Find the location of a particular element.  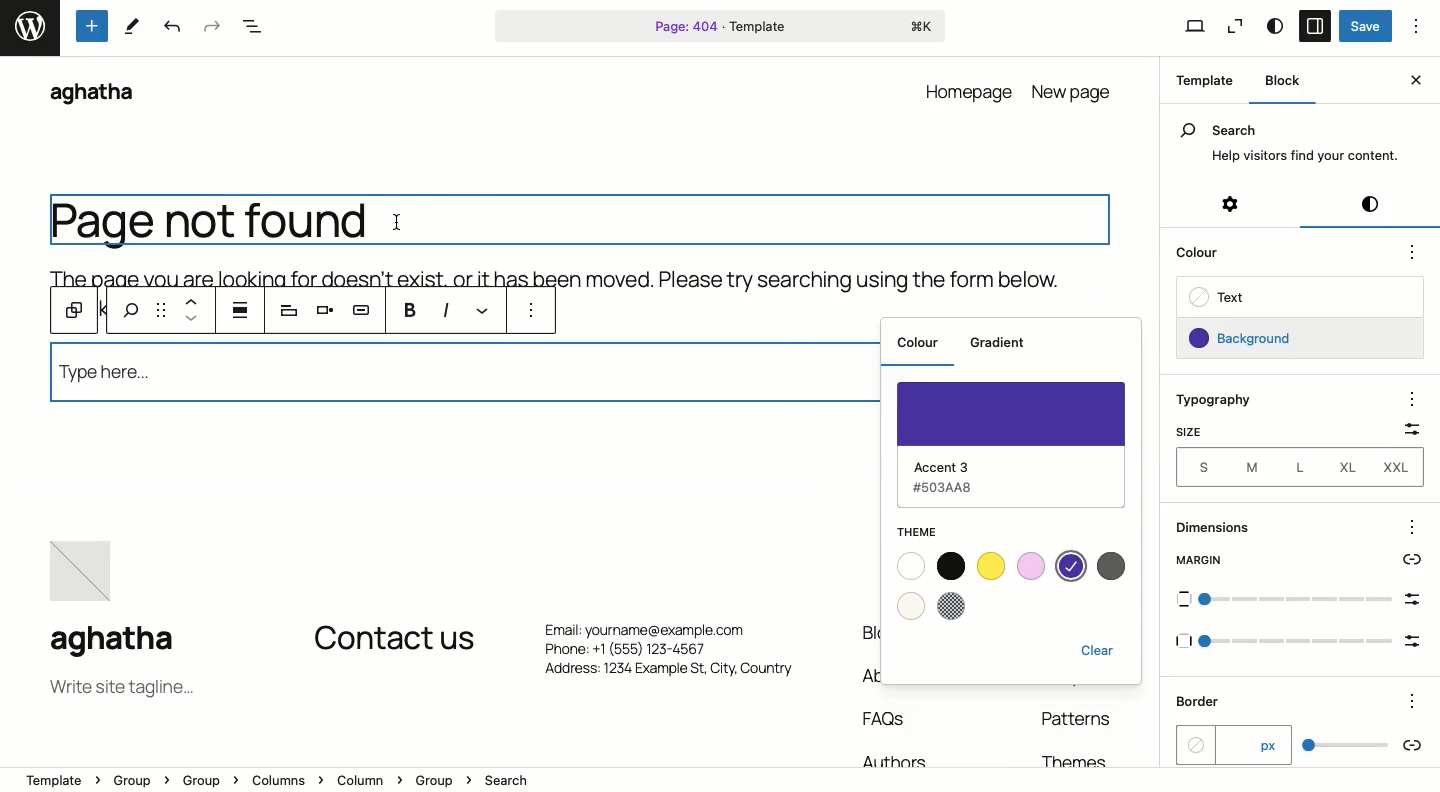

options is located at coordinates (1413, 399).